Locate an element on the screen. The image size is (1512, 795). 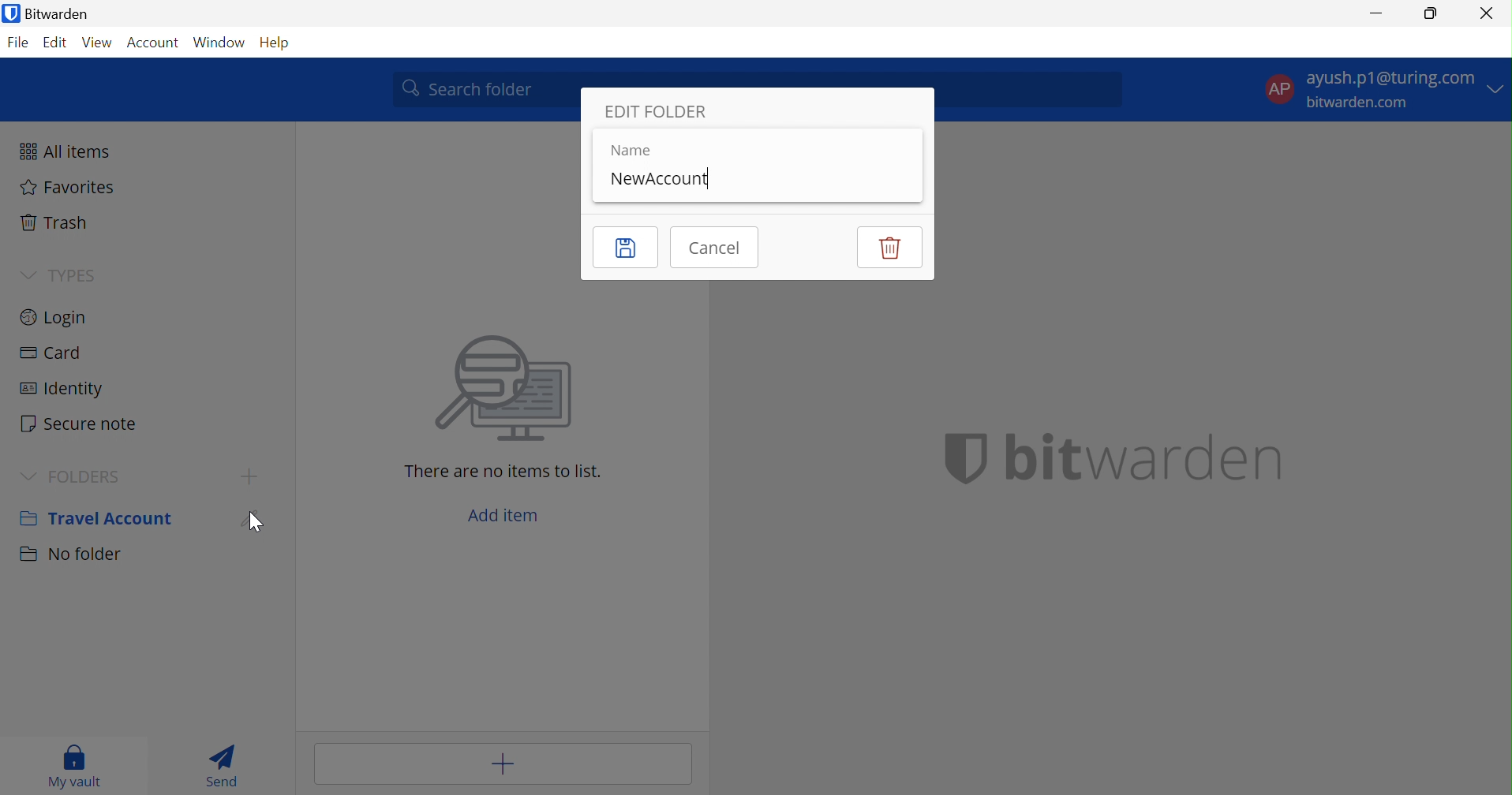
Restore Down is located at coordinates (1430, 17).